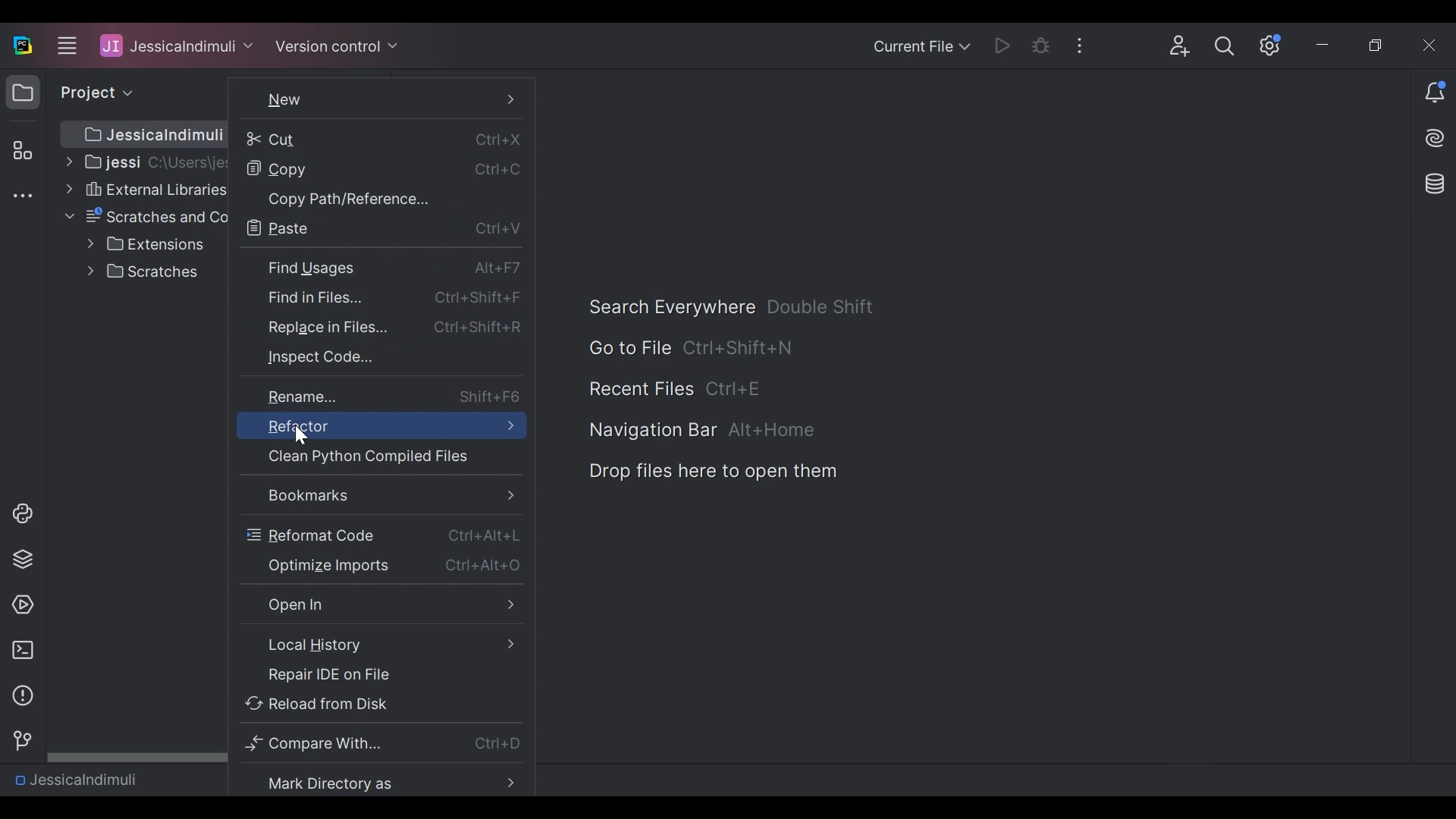 This screenshot has width=1456, height=819. Describe the element at coordinates (18, 741) in the screenshot. I see `version control` at that location.